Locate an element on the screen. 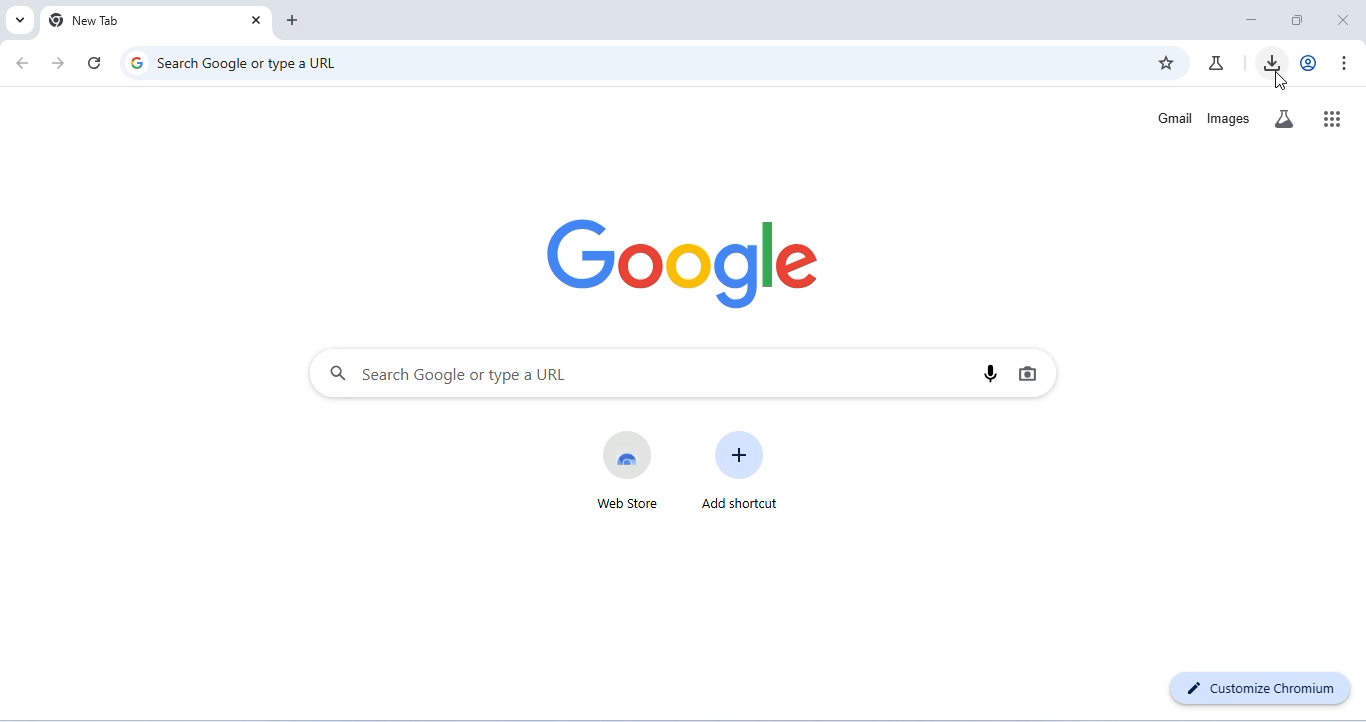  search tabs is located at coordinates (21, 20).